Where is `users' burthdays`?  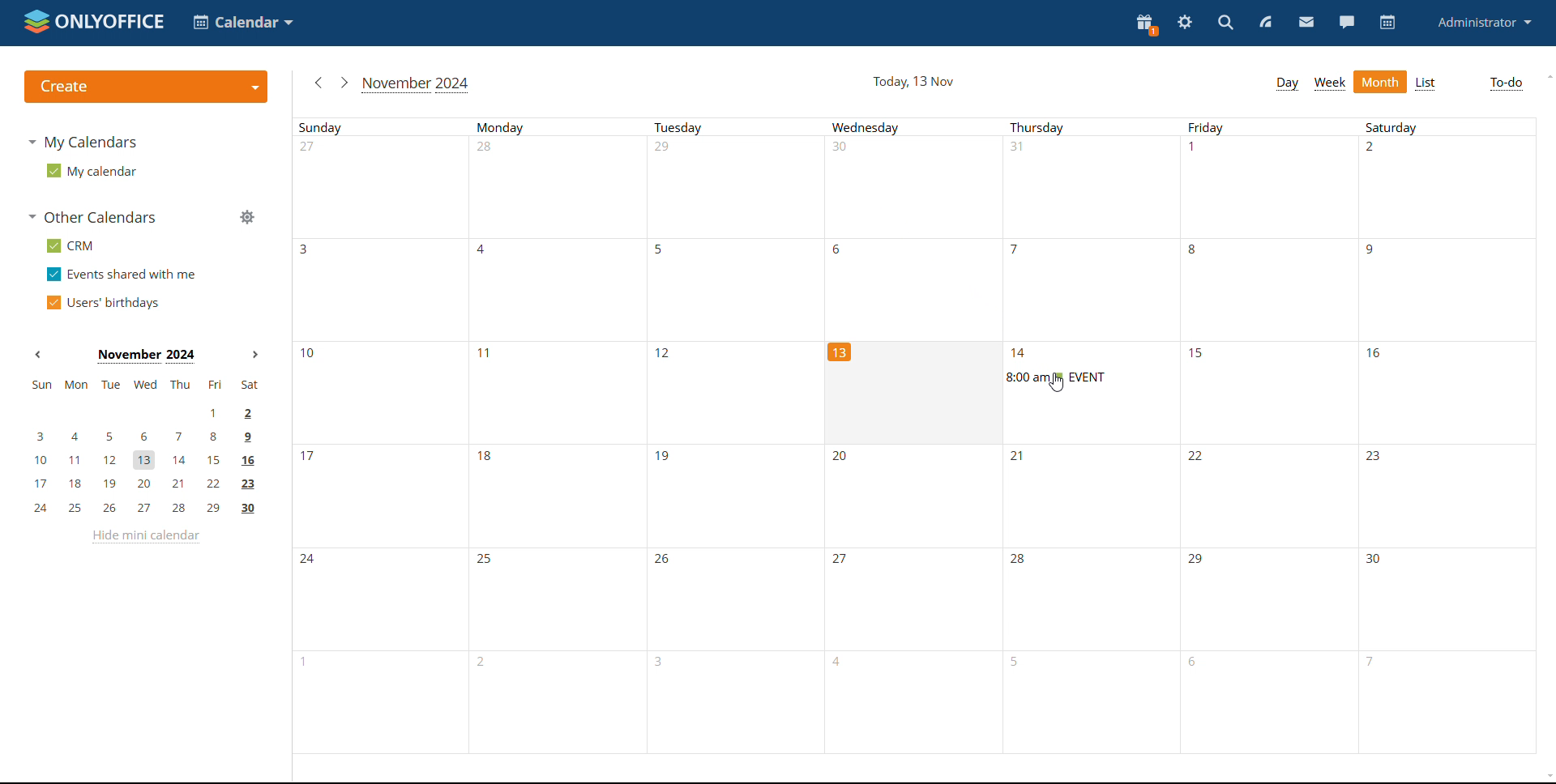 users' burthdays is located at coordinates (106, 301).